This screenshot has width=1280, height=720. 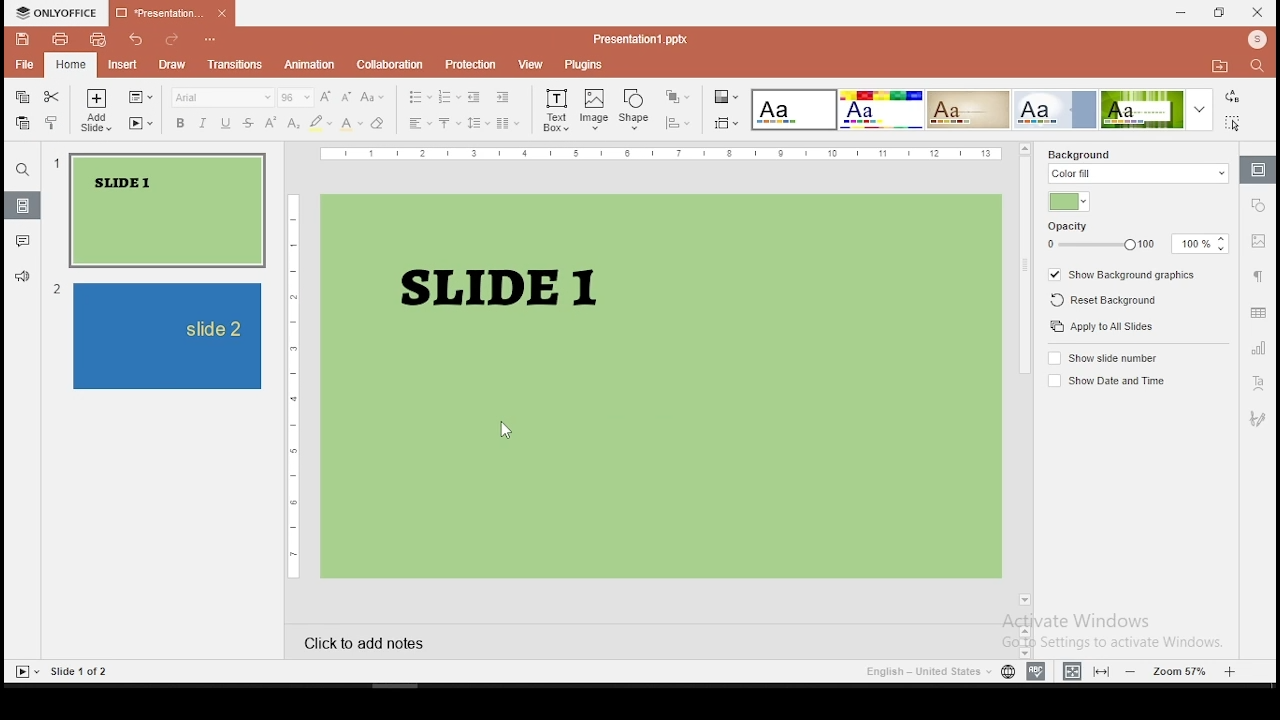 I want to click on select all, so click(x=1233, y=123).